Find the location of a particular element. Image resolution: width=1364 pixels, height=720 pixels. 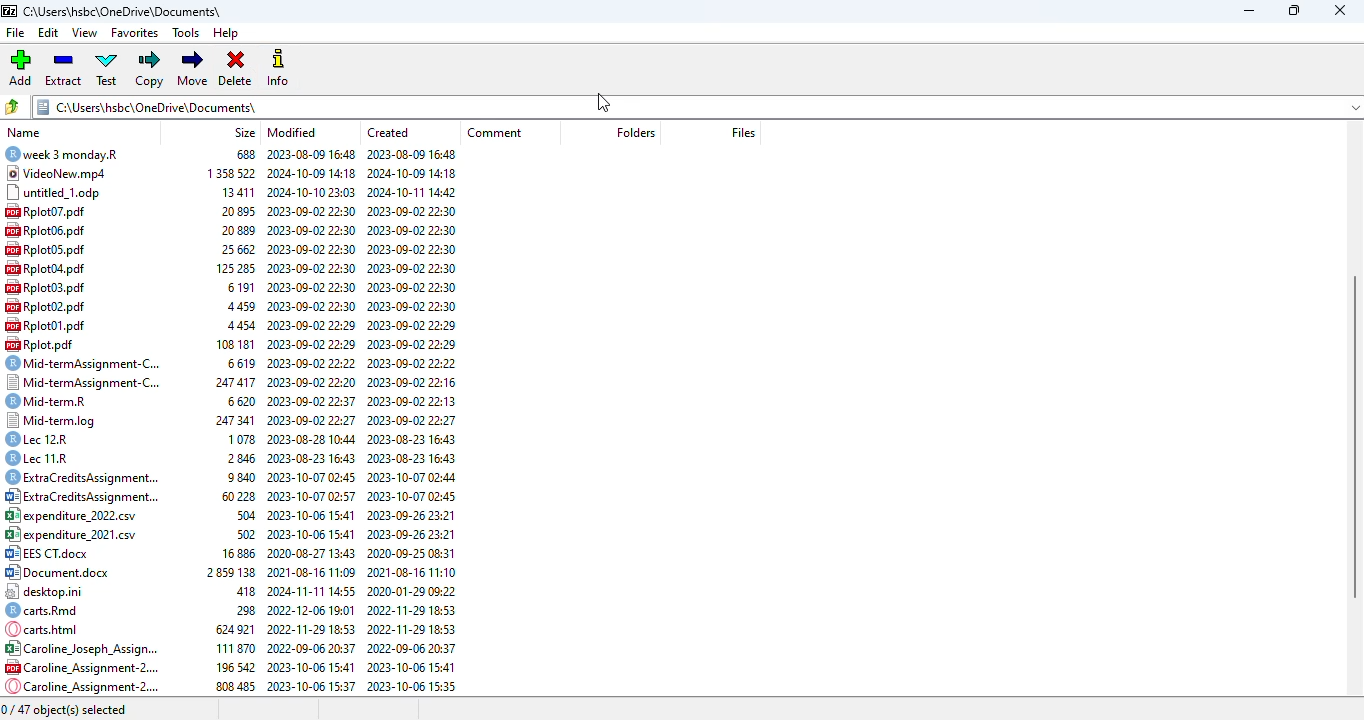

2023-10-06 15:41 is located at coordinates (312, 516).